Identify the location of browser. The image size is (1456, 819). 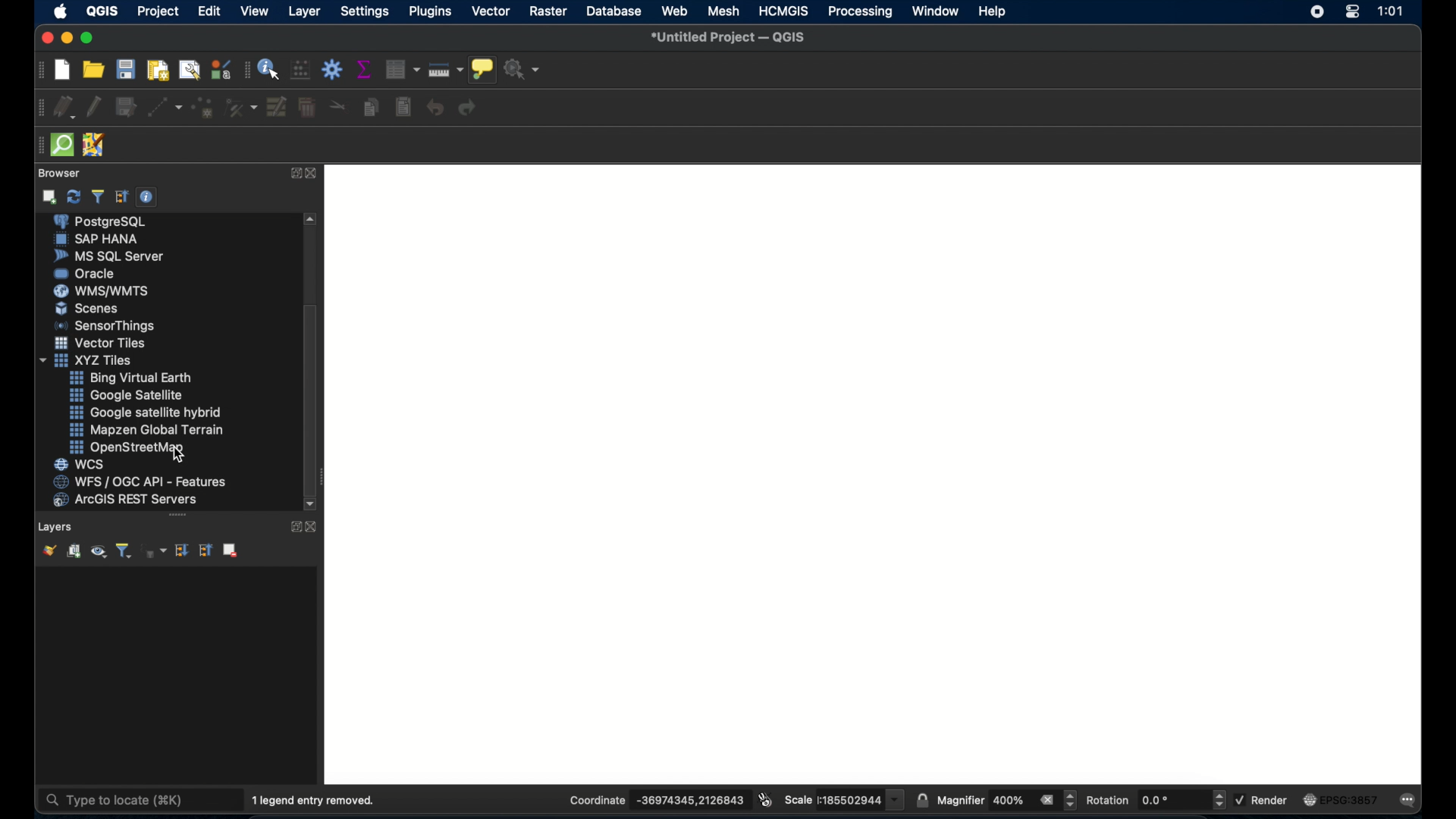
(57, 174).